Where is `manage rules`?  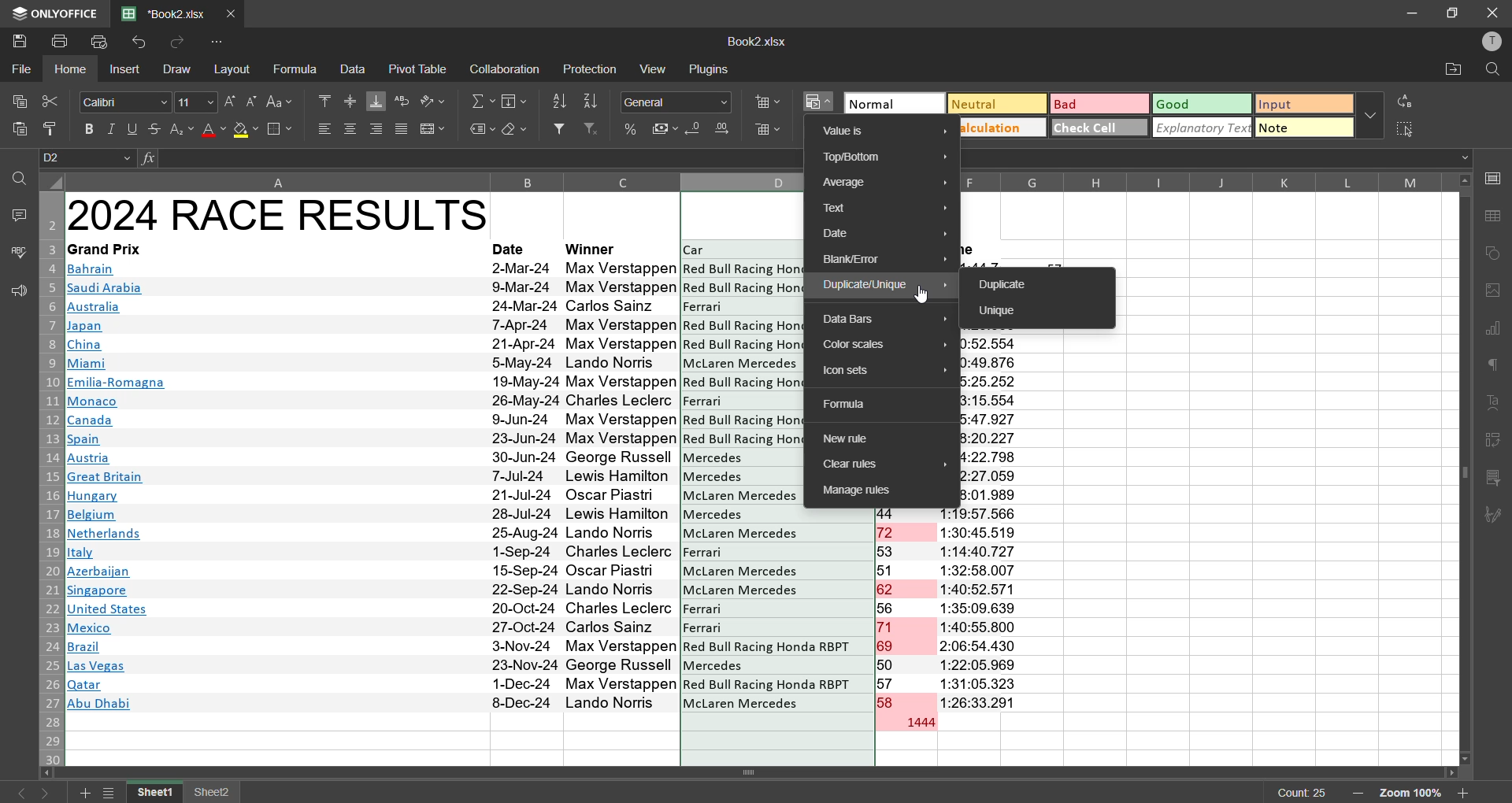
manage rules is located at coordinates (879, 492).